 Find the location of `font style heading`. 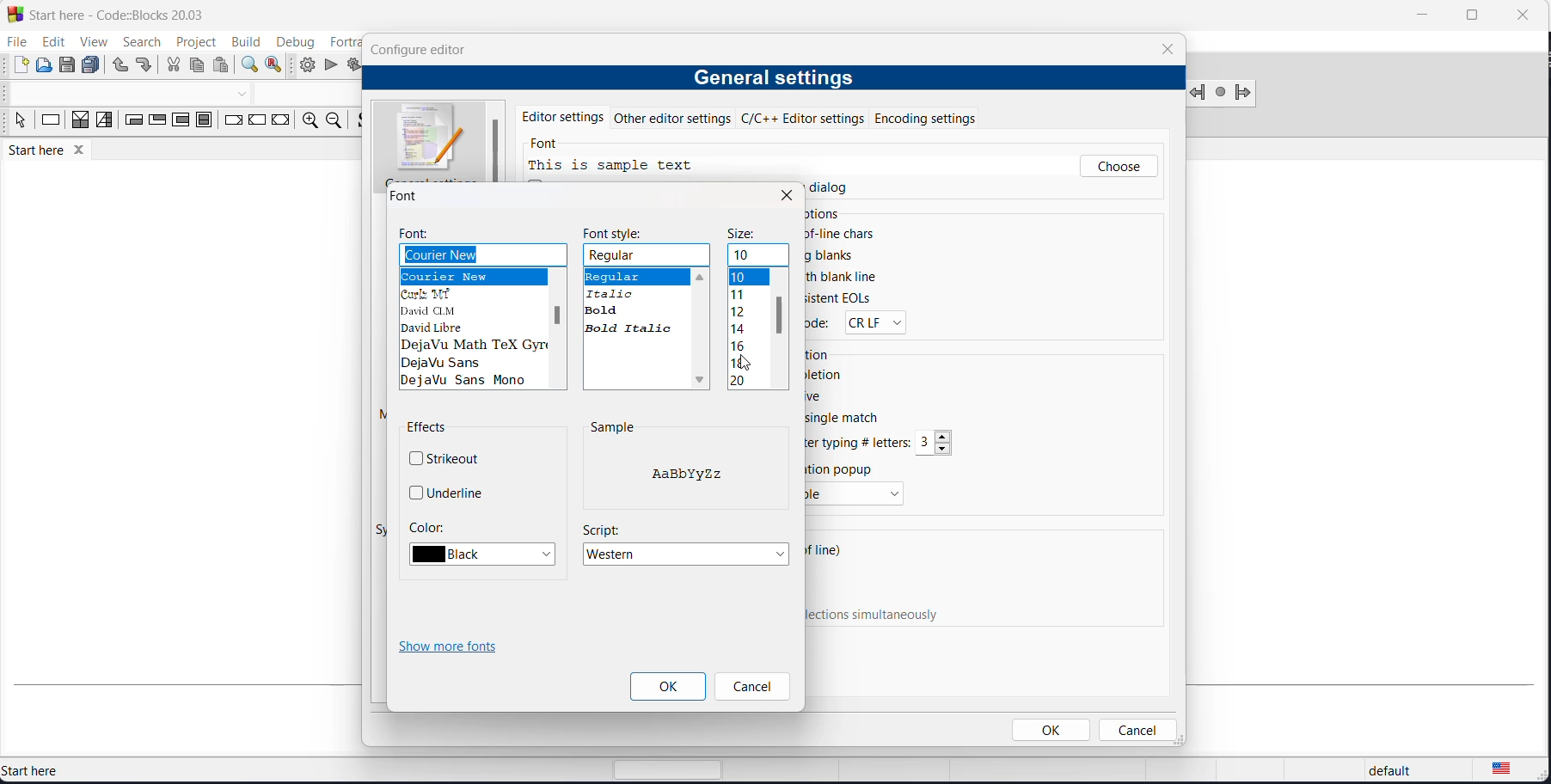

font style heading is located at coordinates (617, 233).